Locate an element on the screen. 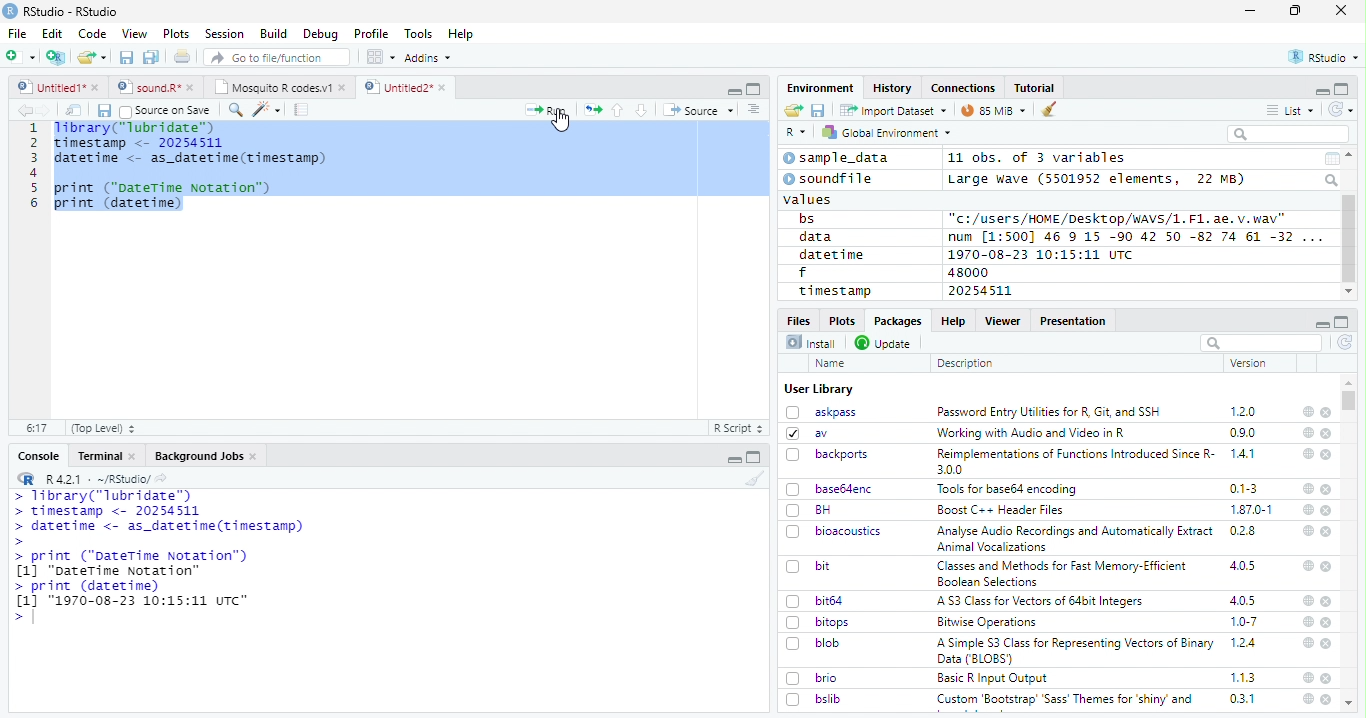  bioacoustics is located at coordinates (834, 531).